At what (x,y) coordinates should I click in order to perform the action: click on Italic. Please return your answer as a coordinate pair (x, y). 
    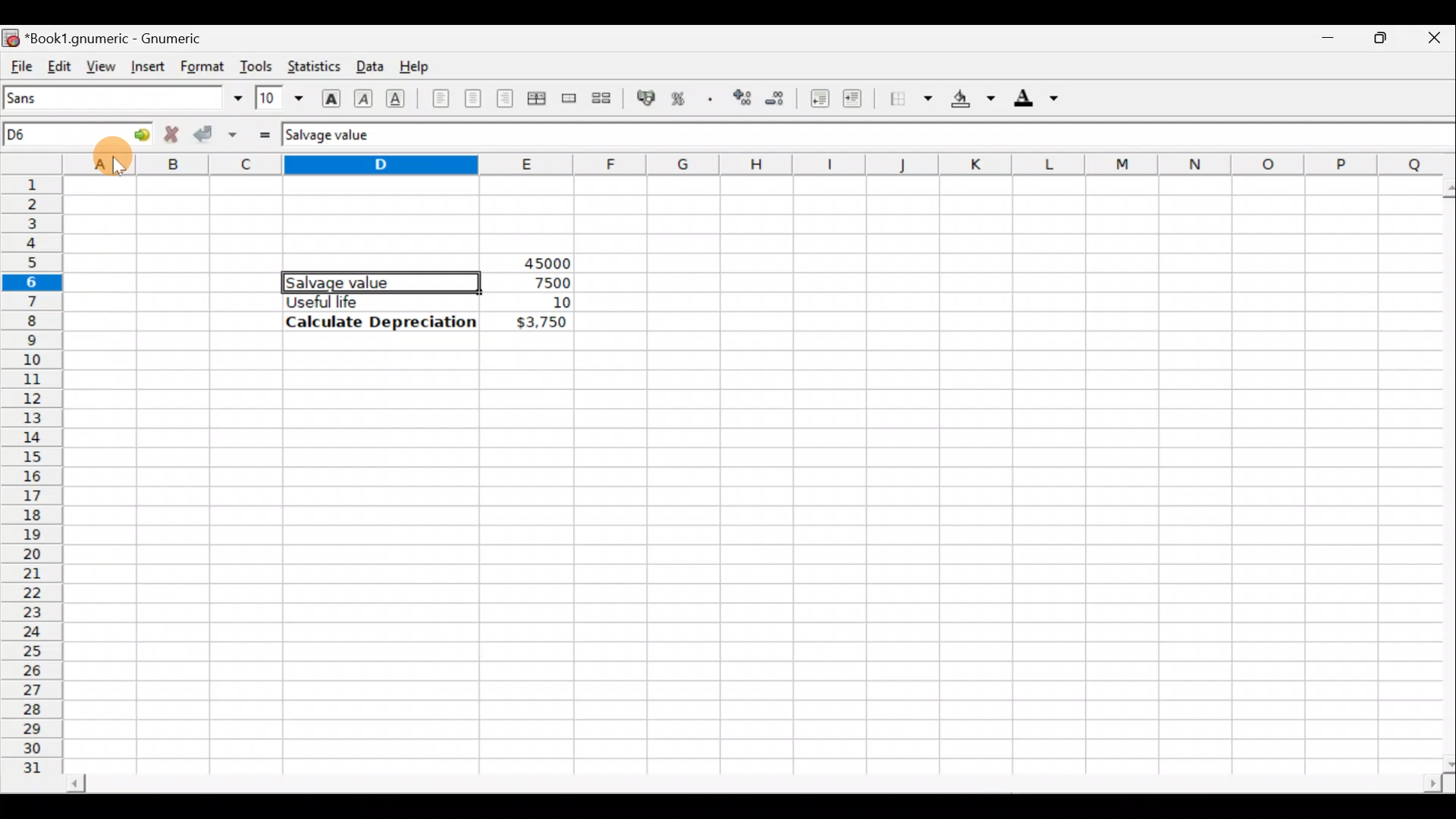
    Looking at the image, I should click on (366, 96).